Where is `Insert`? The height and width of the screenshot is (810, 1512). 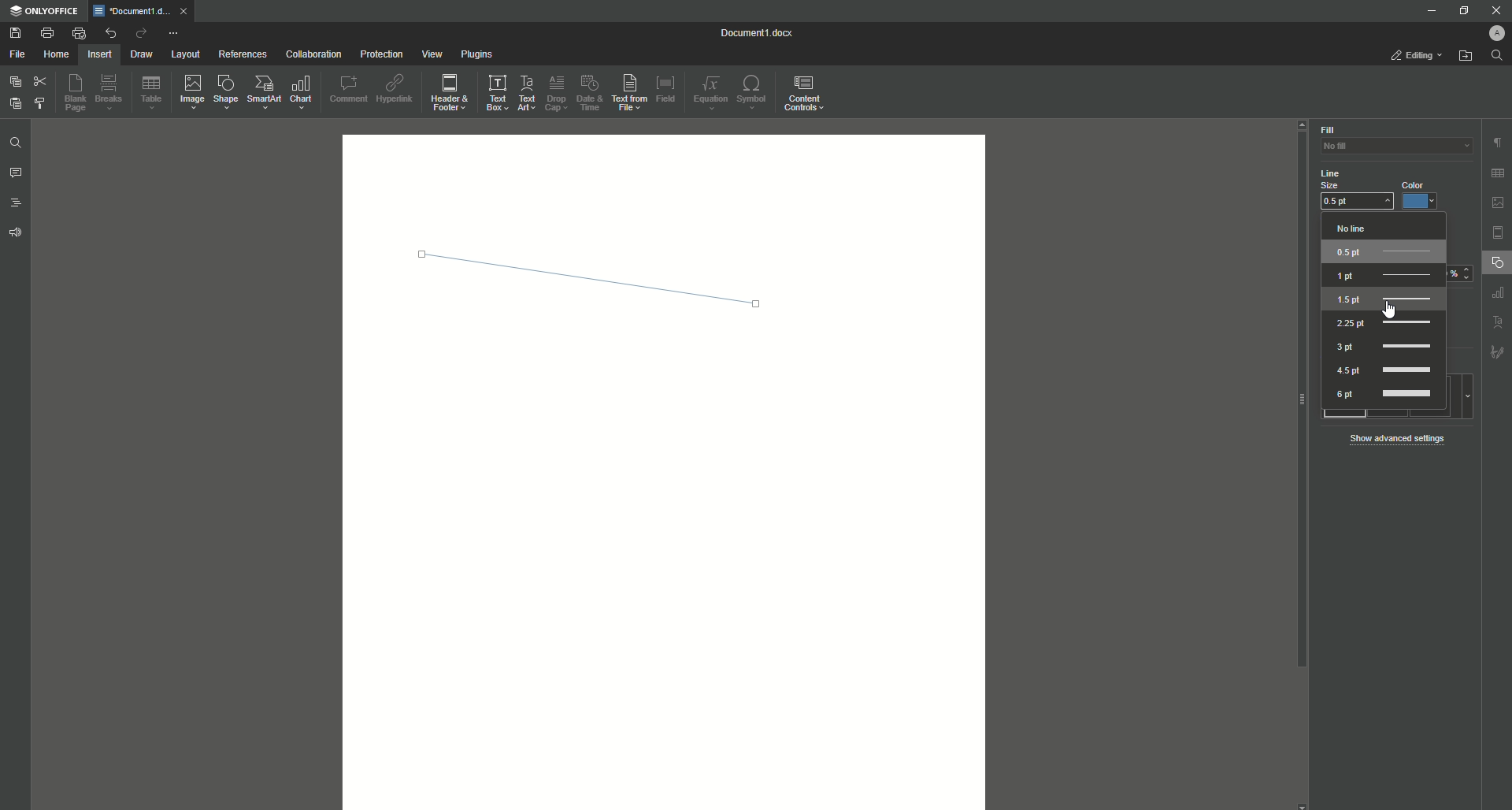
Insert is located at coordinates (98, 54).